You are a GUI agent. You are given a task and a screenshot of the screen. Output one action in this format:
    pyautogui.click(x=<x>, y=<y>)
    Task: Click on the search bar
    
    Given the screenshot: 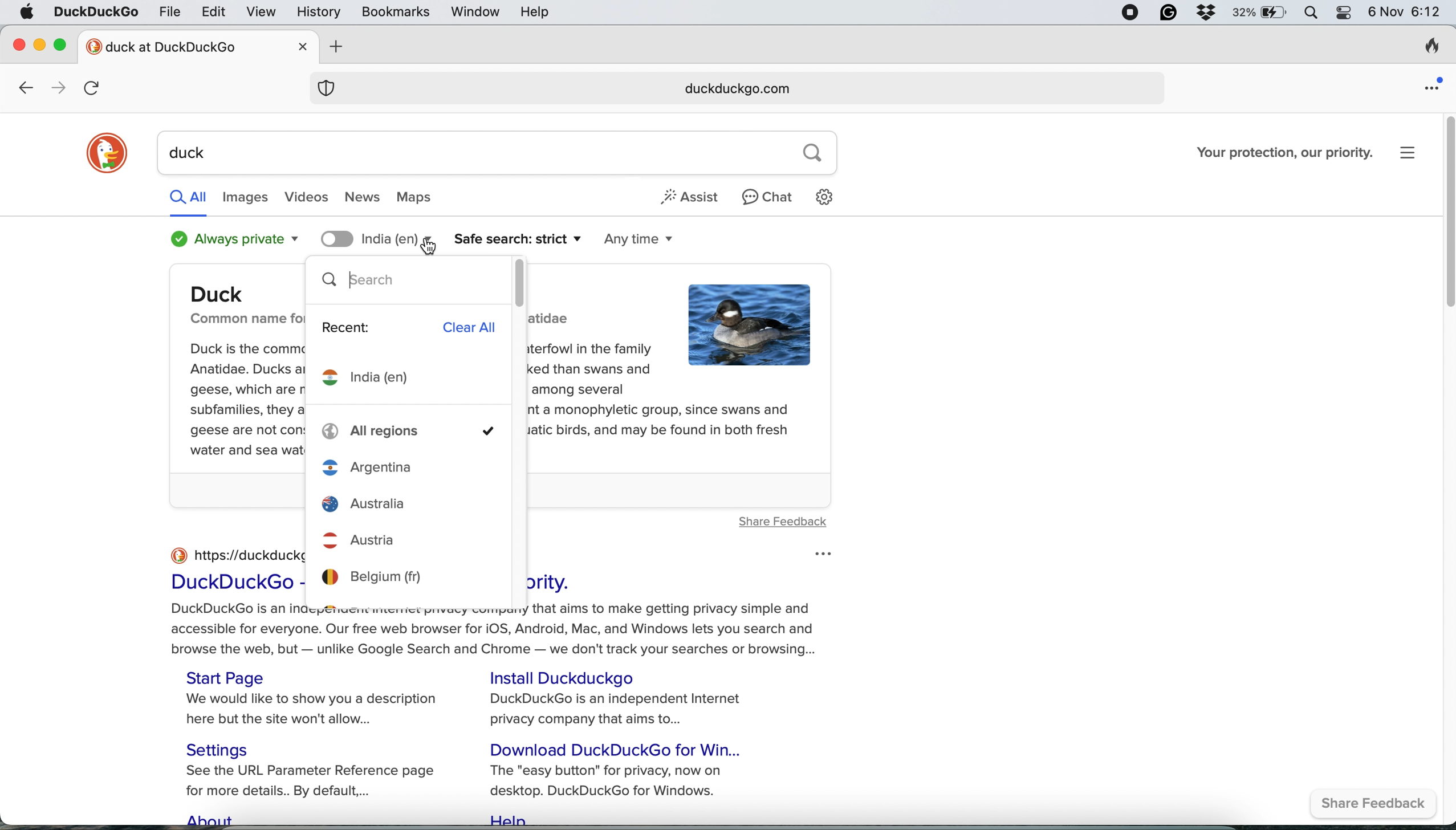 What is the action you would take?
    pyautogui.click(x=405, y=282)
    